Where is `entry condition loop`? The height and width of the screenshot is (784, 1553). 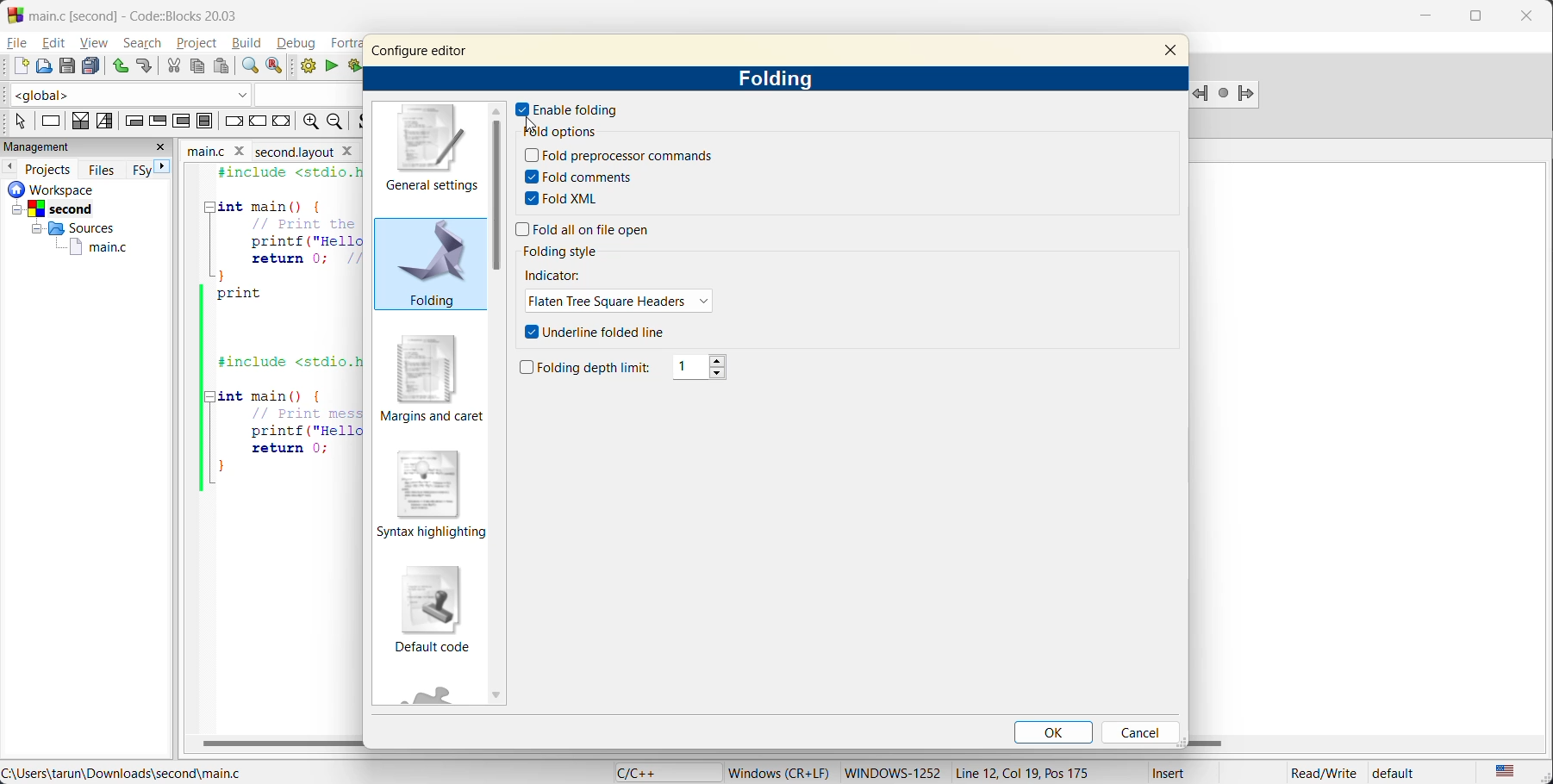
entry condition loop is located at coordinates (132, 121).